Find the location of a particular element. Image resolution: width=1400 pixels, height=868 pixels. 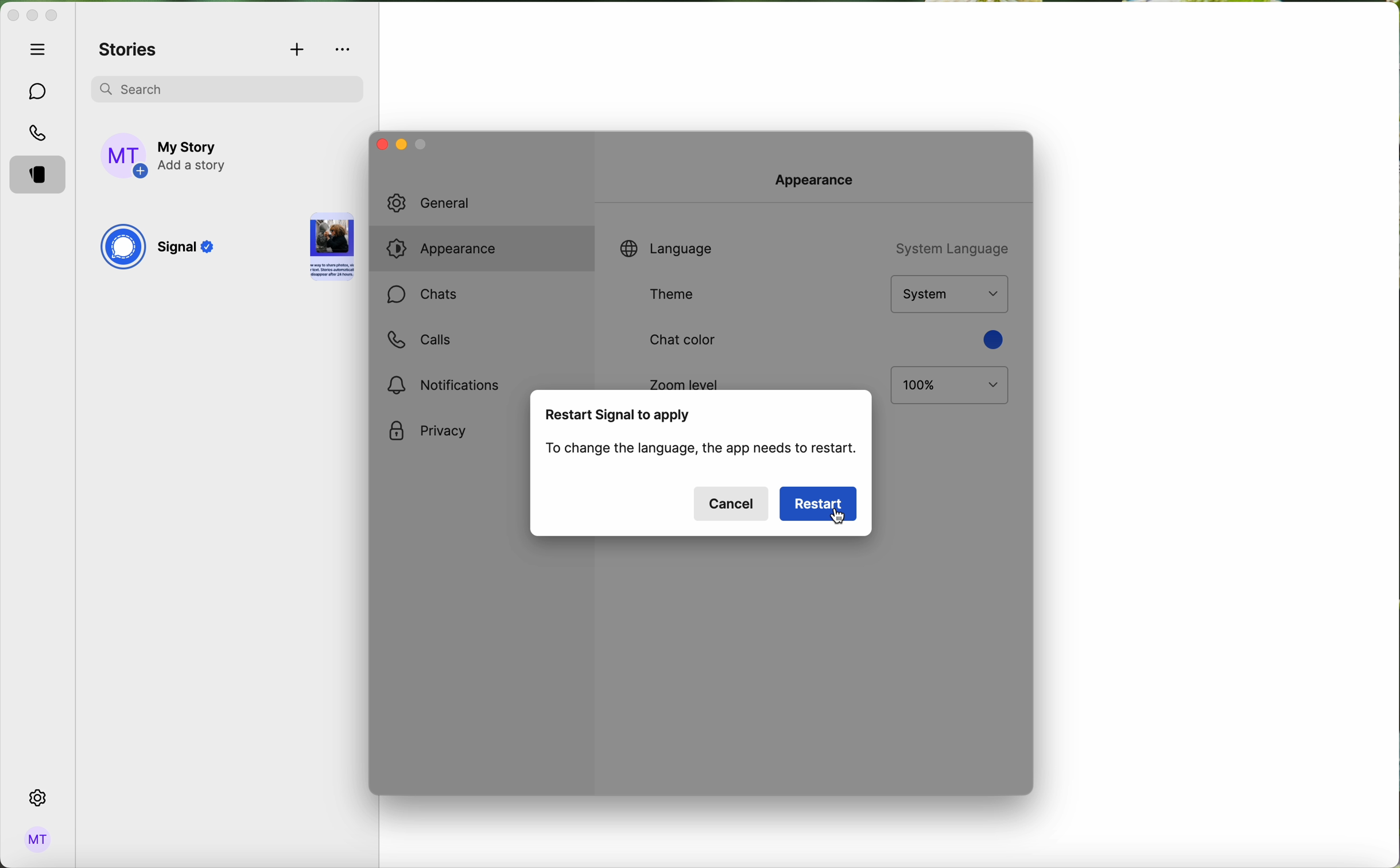

profile photo is located at coordinates (125, 156).